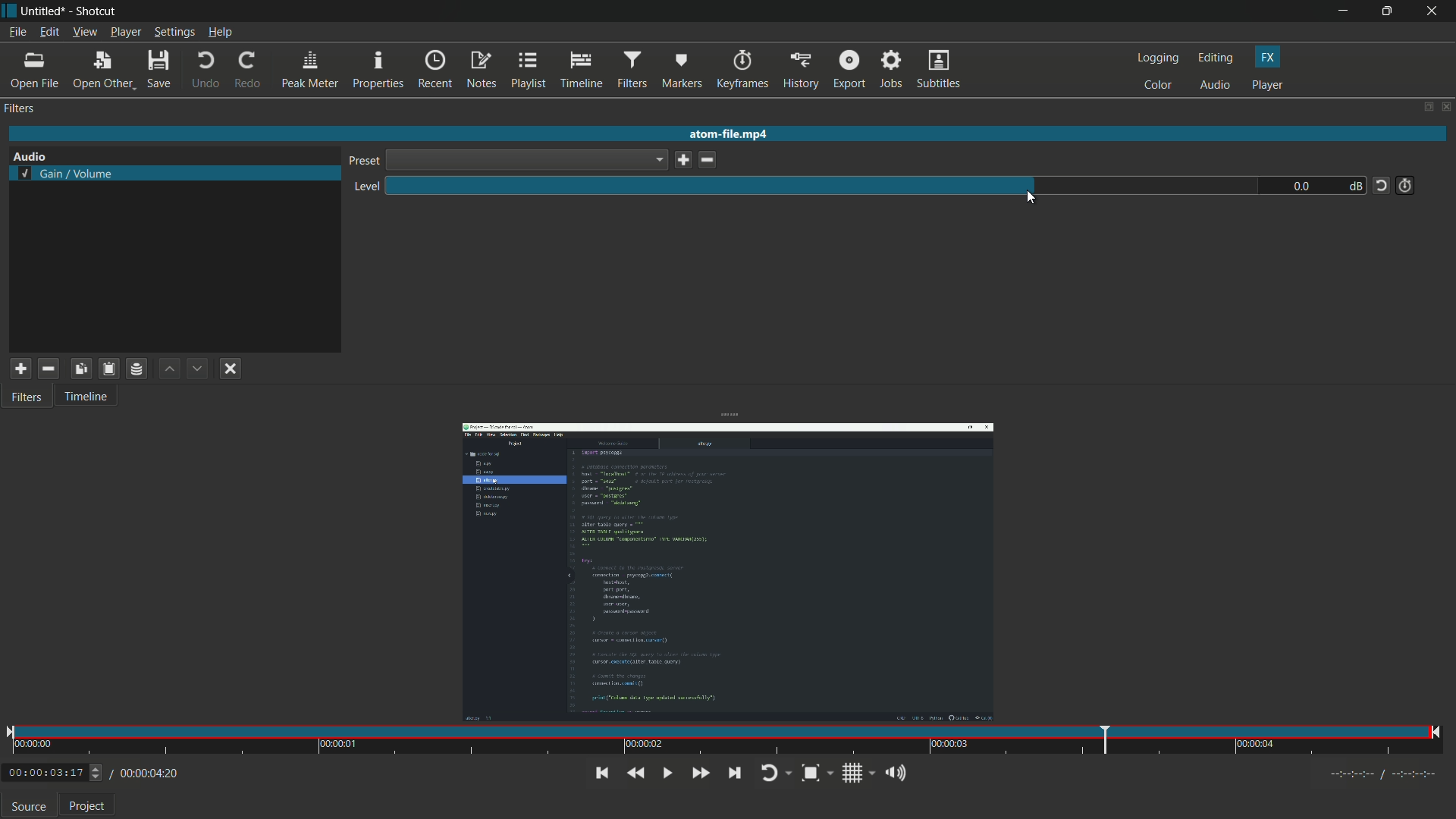  What do you see at coordinates (20, 108) in the screenshot?
I see `filter` at bounding box center [20, 108].